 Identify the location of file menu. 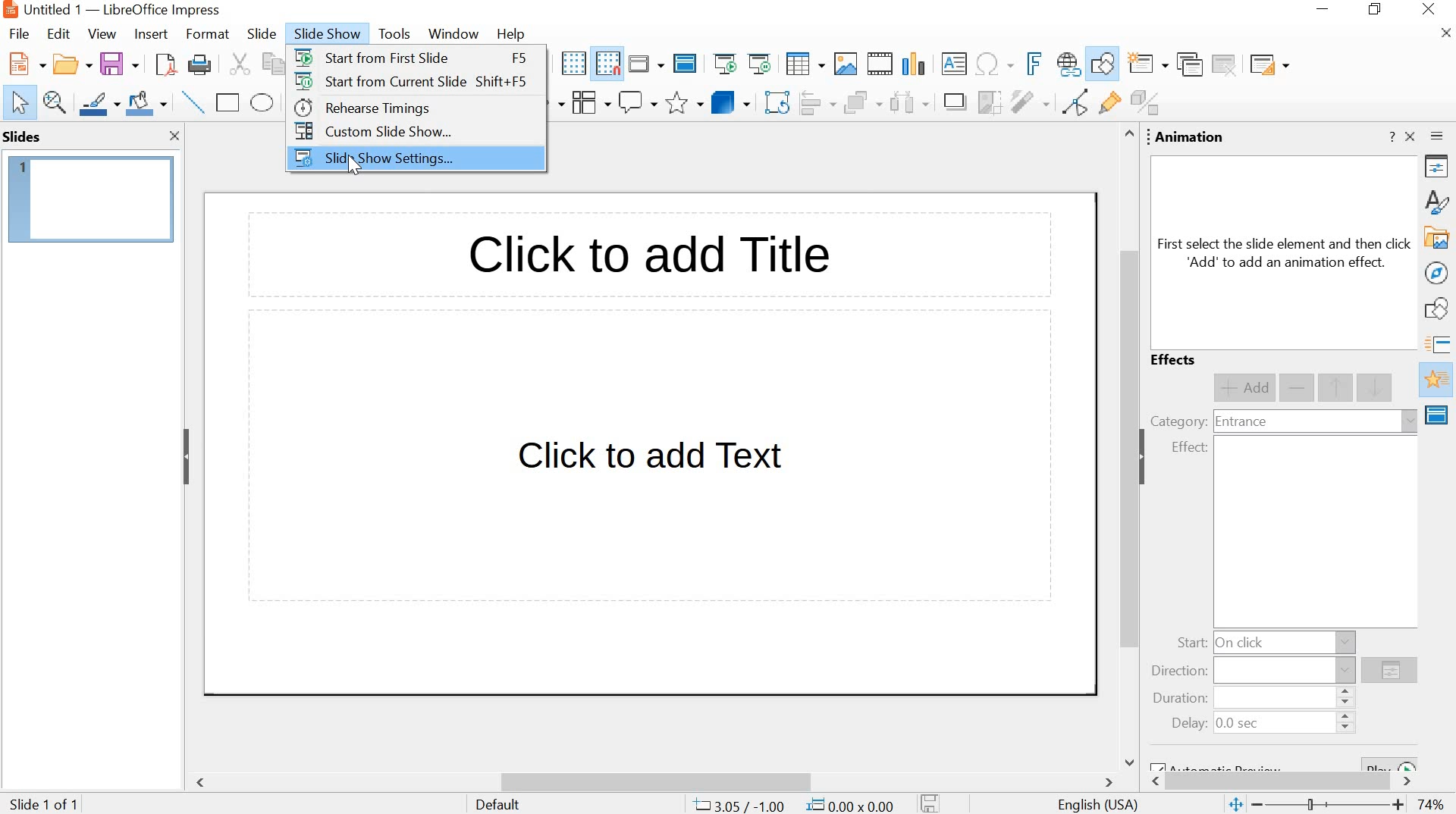
(24, 33).